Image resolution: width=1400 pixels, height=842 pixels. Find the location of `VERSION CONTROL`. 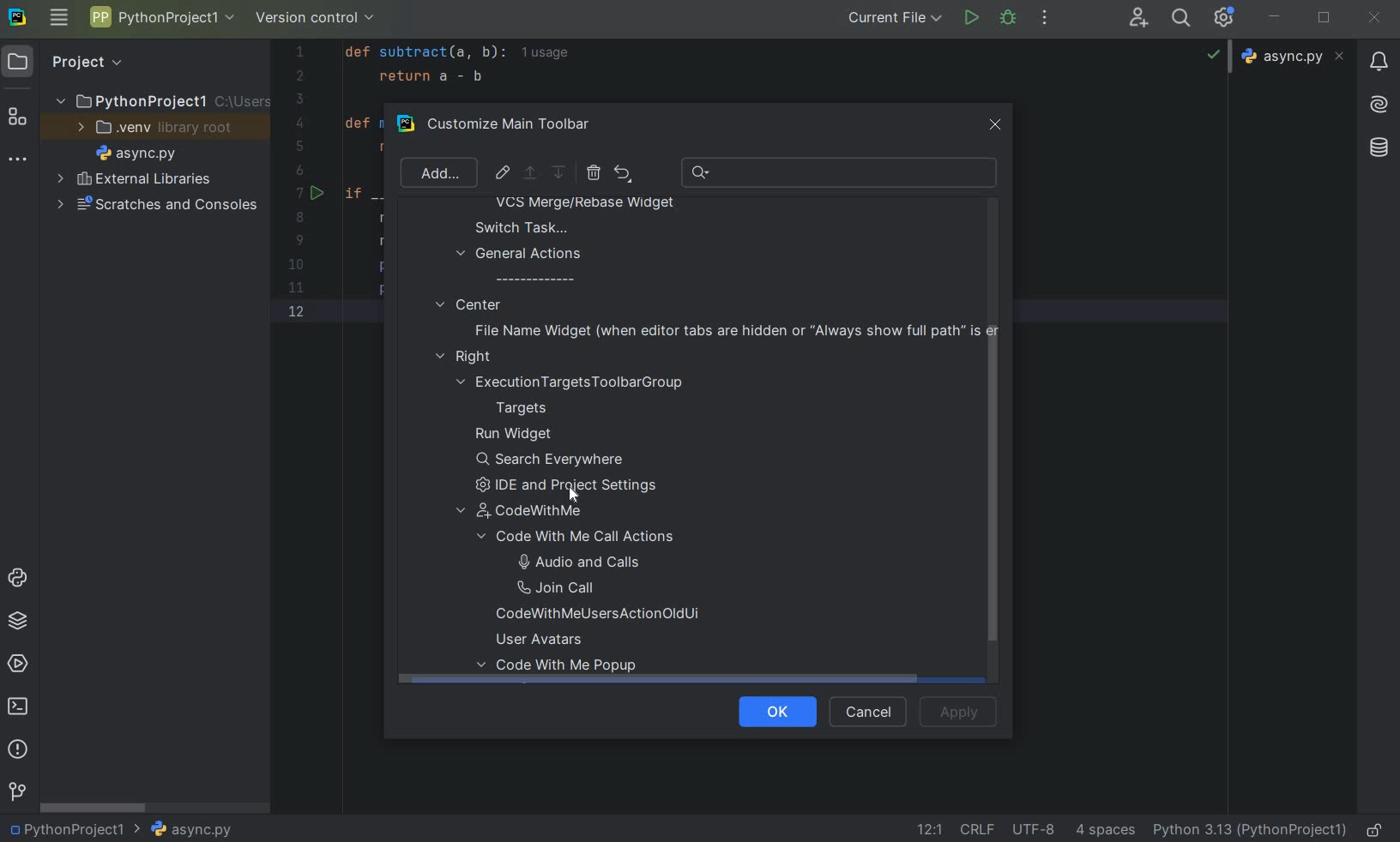

VERSION CONTROL is located at coordinates (316, 21).